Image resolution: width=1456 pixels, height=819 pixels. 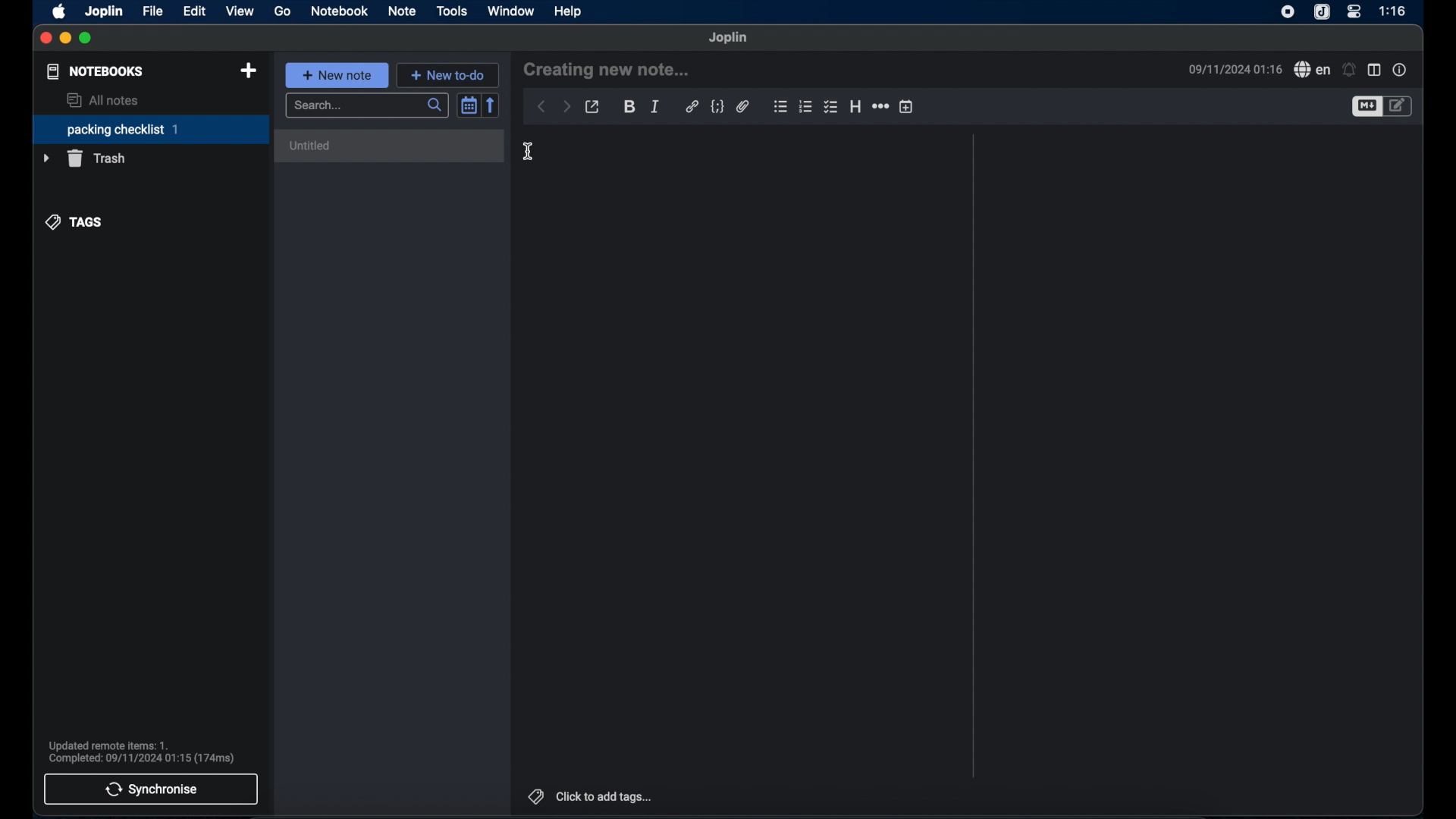 I want to click on note, so click(x=403, y=11).